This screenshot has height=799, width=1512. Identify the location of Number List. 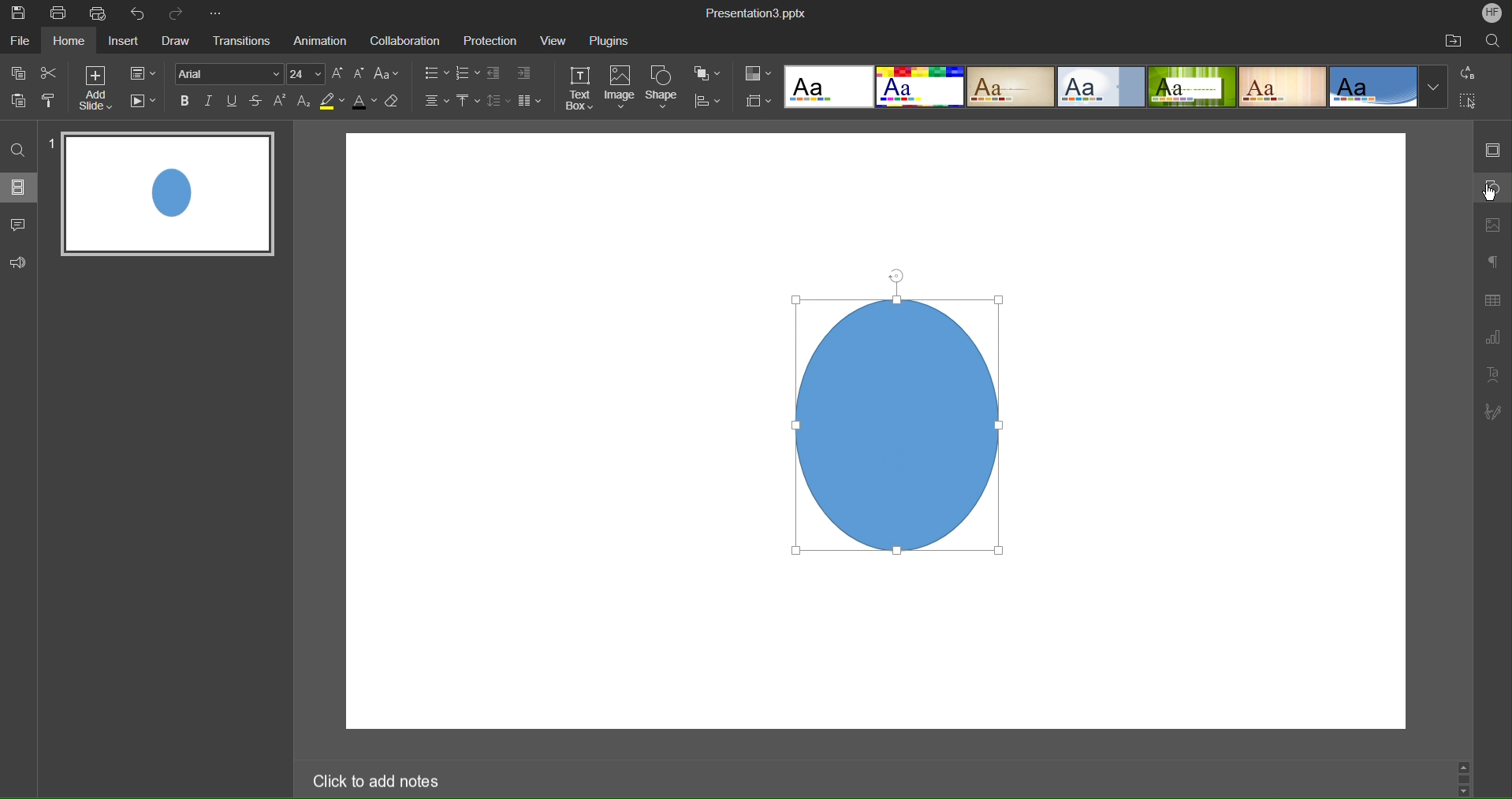
(468, 75).